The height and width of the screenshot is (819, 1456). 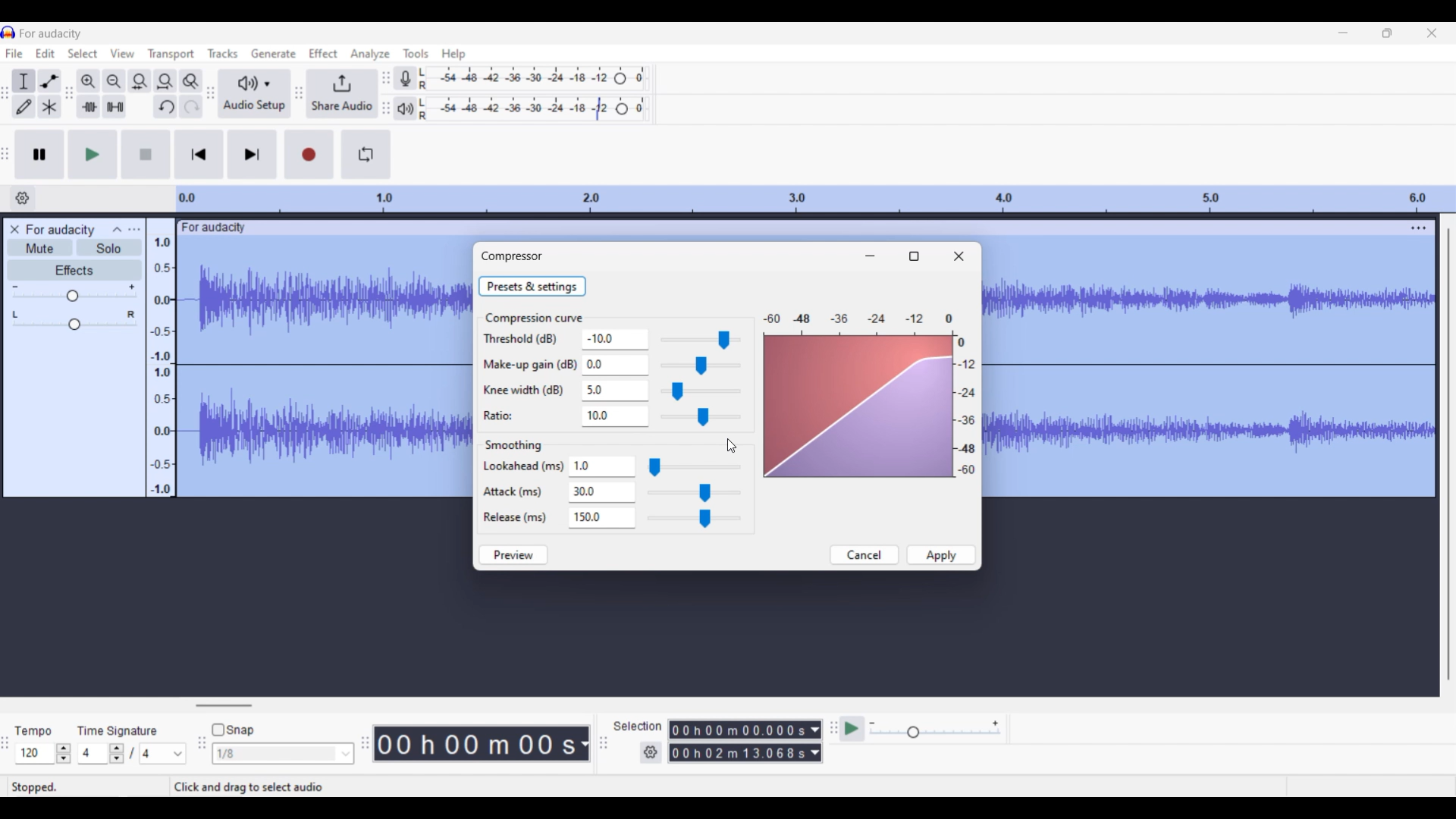 I want to click on Text box for attack, so click(x=604, y=492).